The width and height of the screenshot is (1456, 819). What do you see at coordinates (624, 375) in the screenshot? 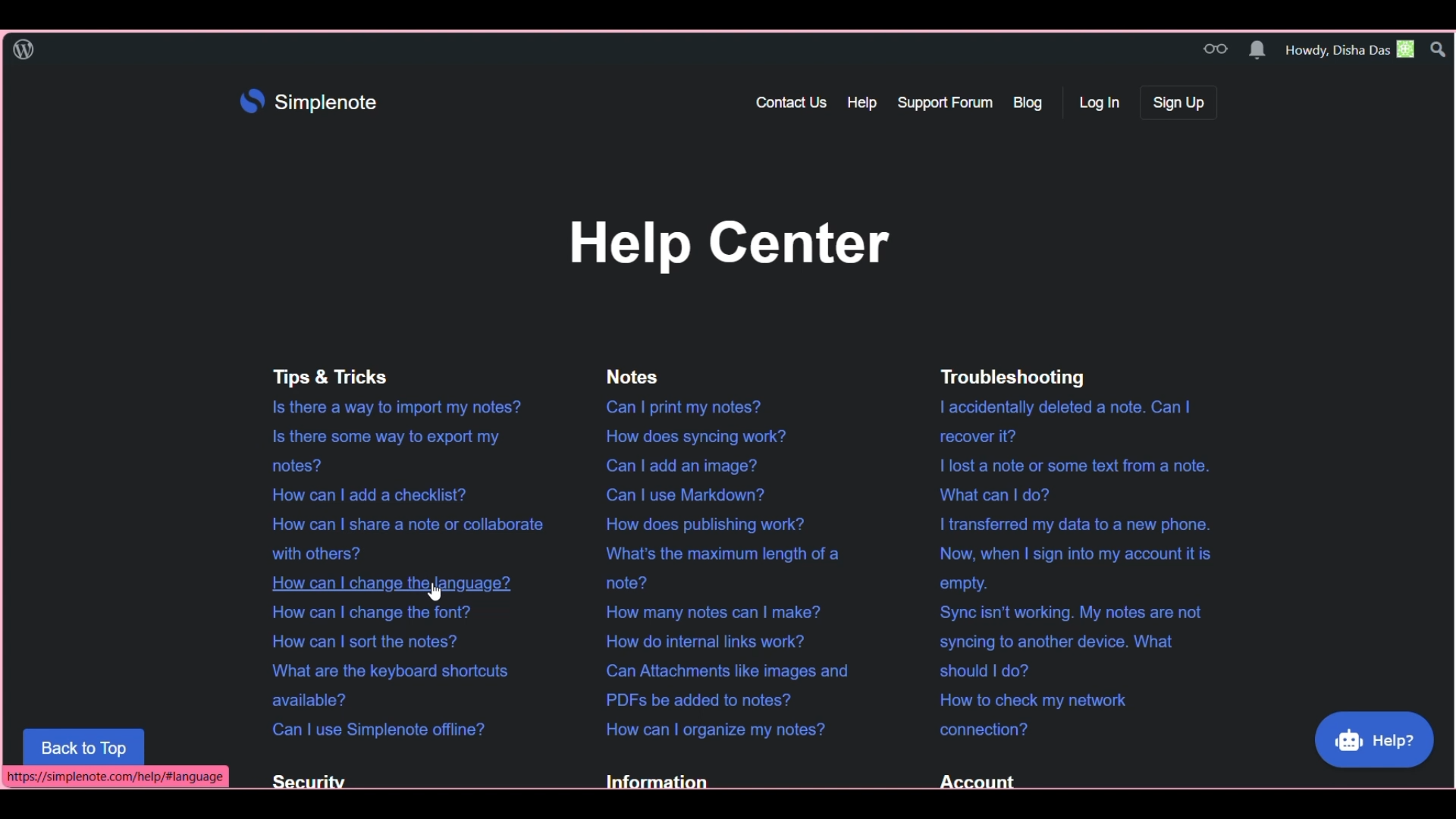
I see `Notes` at bounding box center [624, 375].